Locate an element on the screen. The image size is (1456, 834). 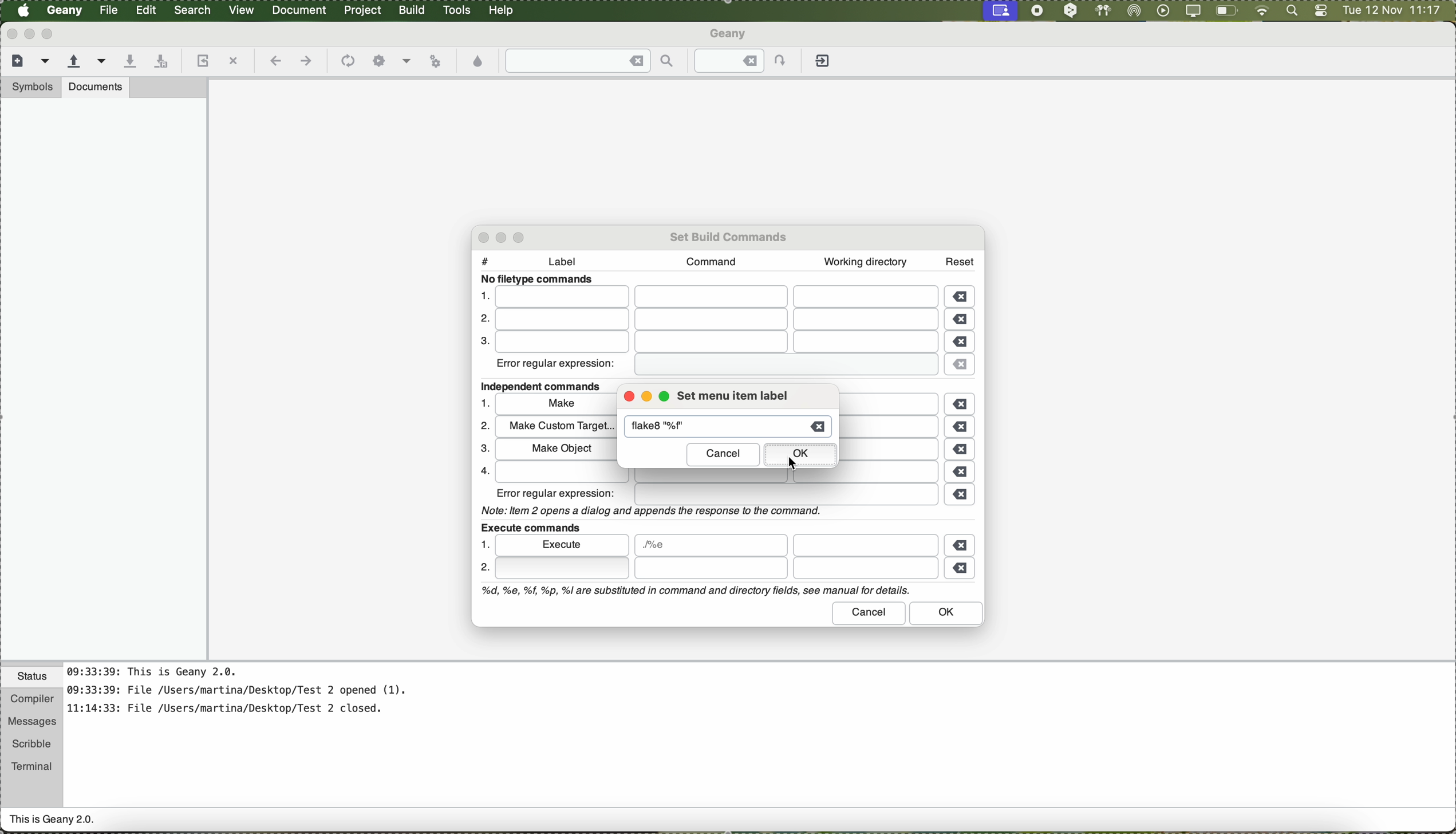
view is located at coordinates (242, 9).